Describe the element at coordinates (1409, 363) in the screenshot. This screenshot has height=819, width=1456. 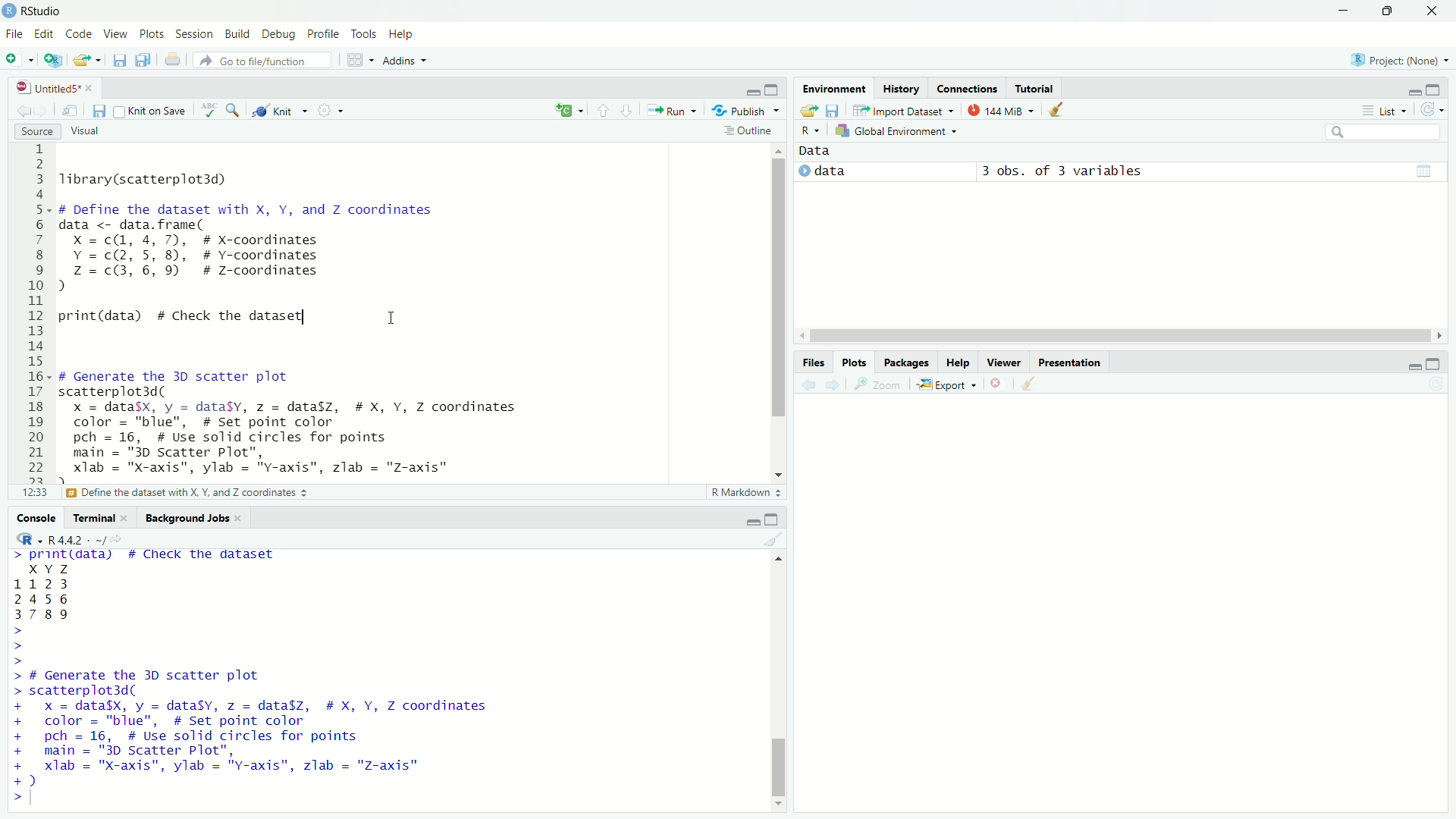
I see `minimize` at that location.